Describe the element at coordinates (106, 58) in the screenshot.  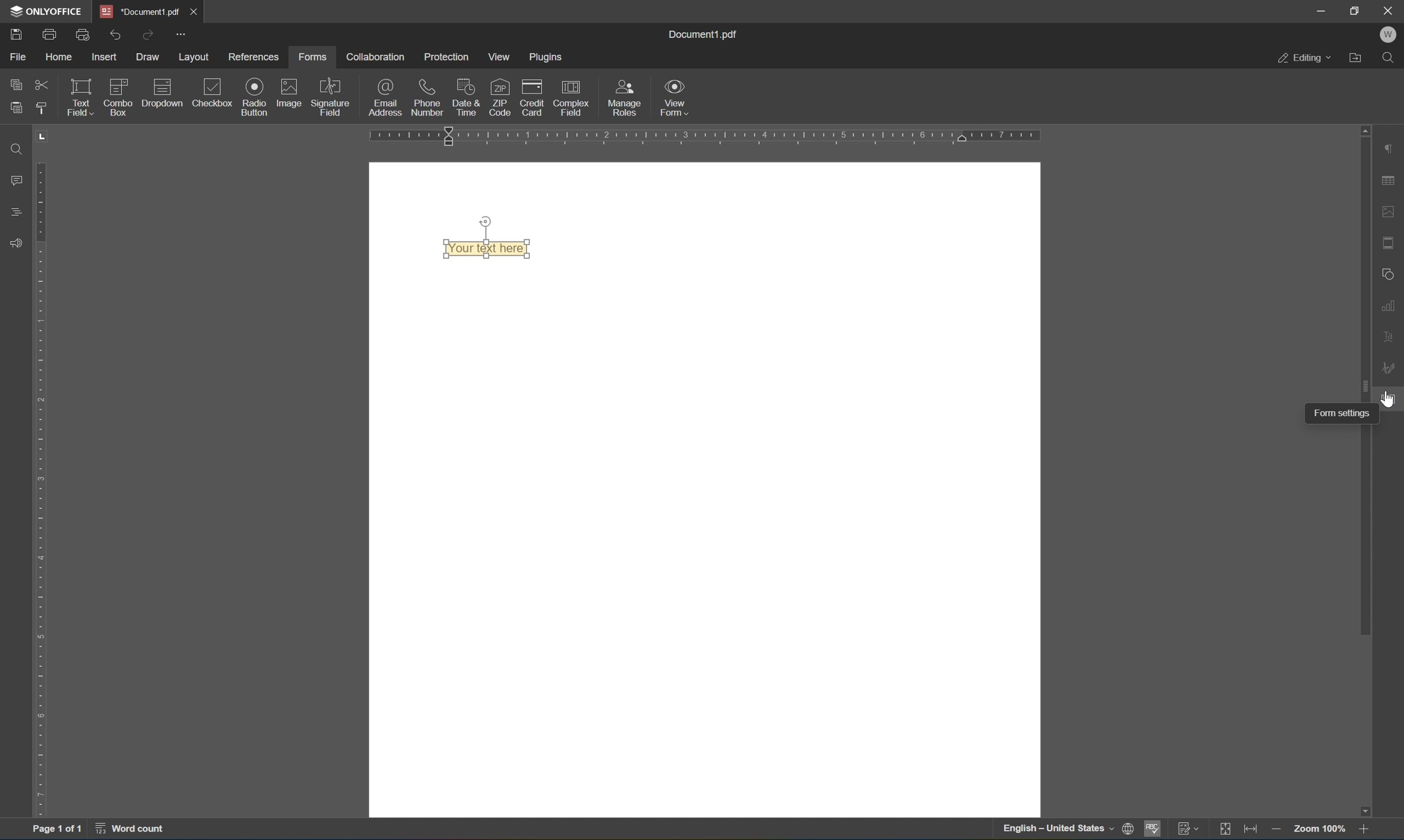
I see `insert` at that location.